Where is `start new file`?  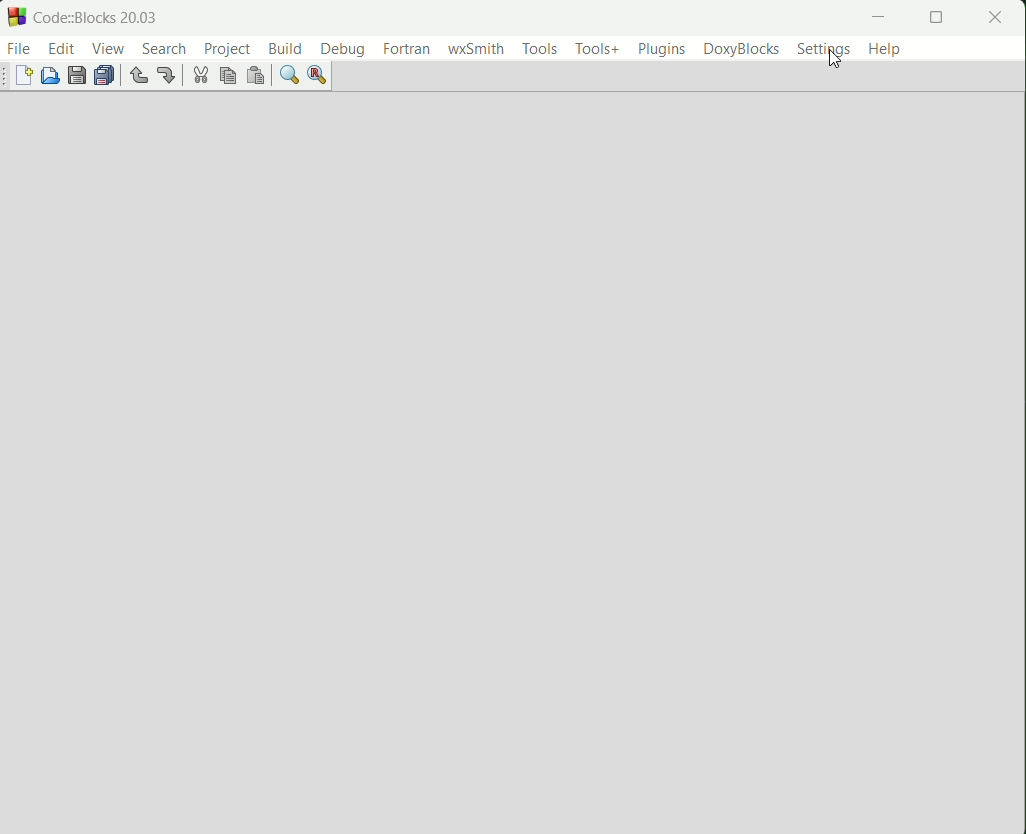
start new file is located at coordinates (27, 77).